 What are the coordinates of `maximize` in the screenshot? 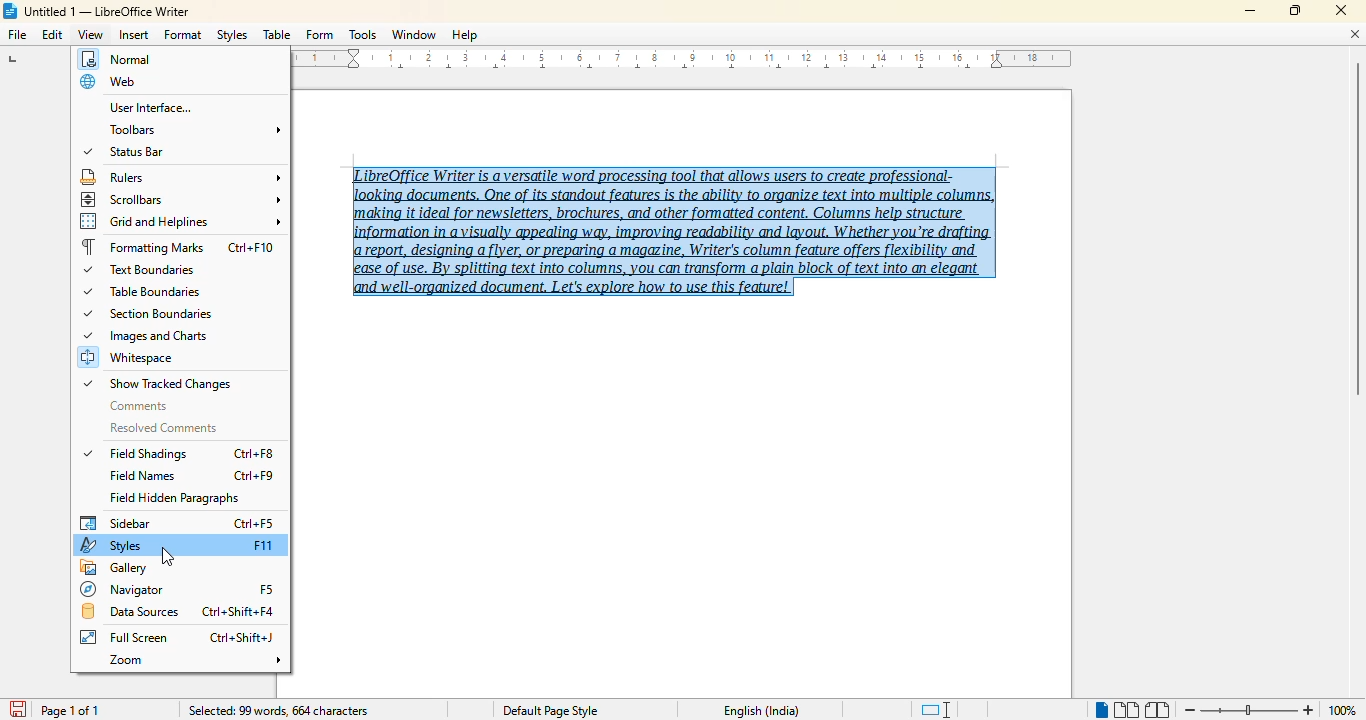 It's located at (1294, 10).